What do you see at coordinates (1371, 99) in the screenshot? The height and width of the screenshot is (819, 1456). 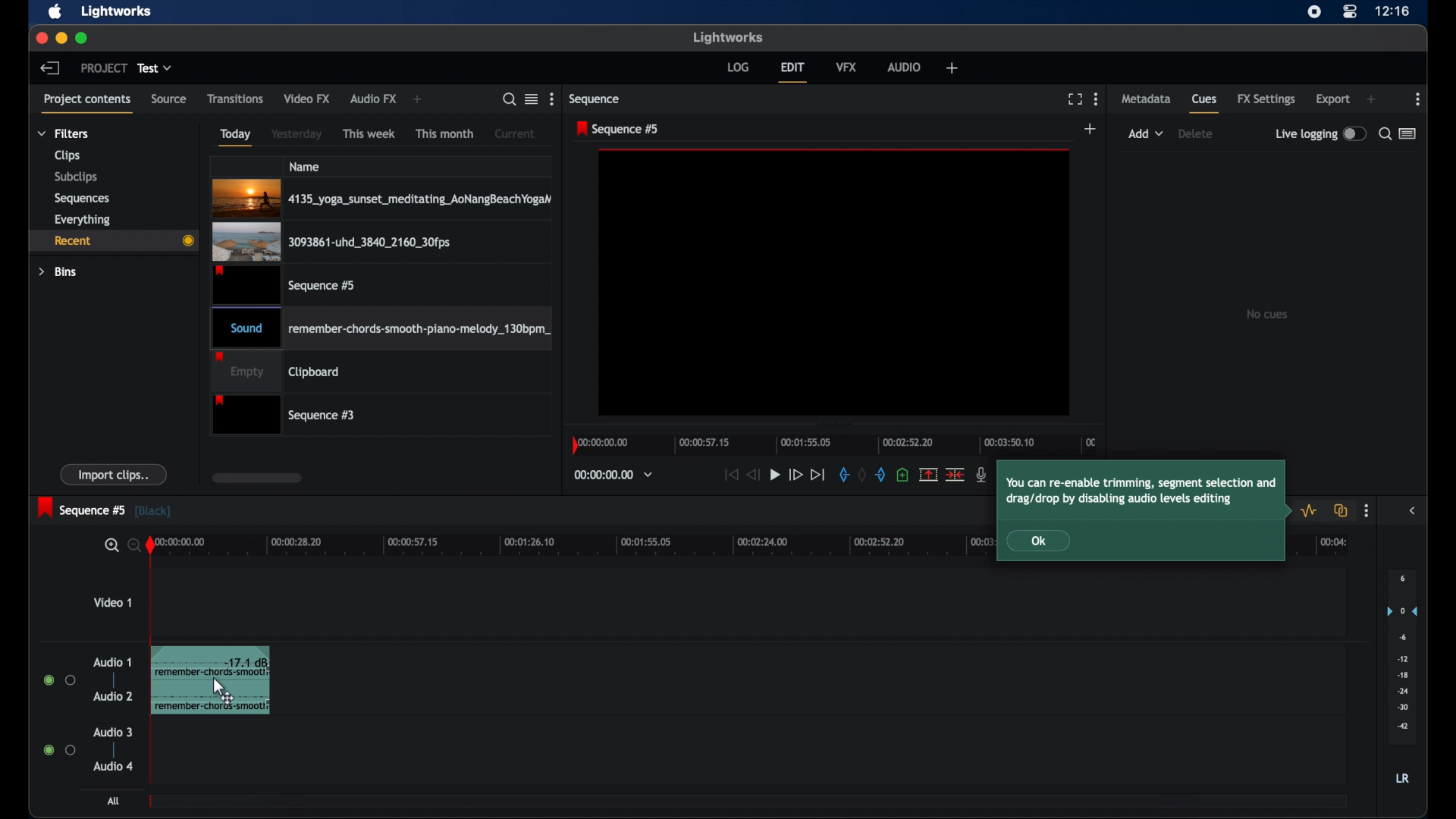 I see `add` at bounding box center [1371, 99].